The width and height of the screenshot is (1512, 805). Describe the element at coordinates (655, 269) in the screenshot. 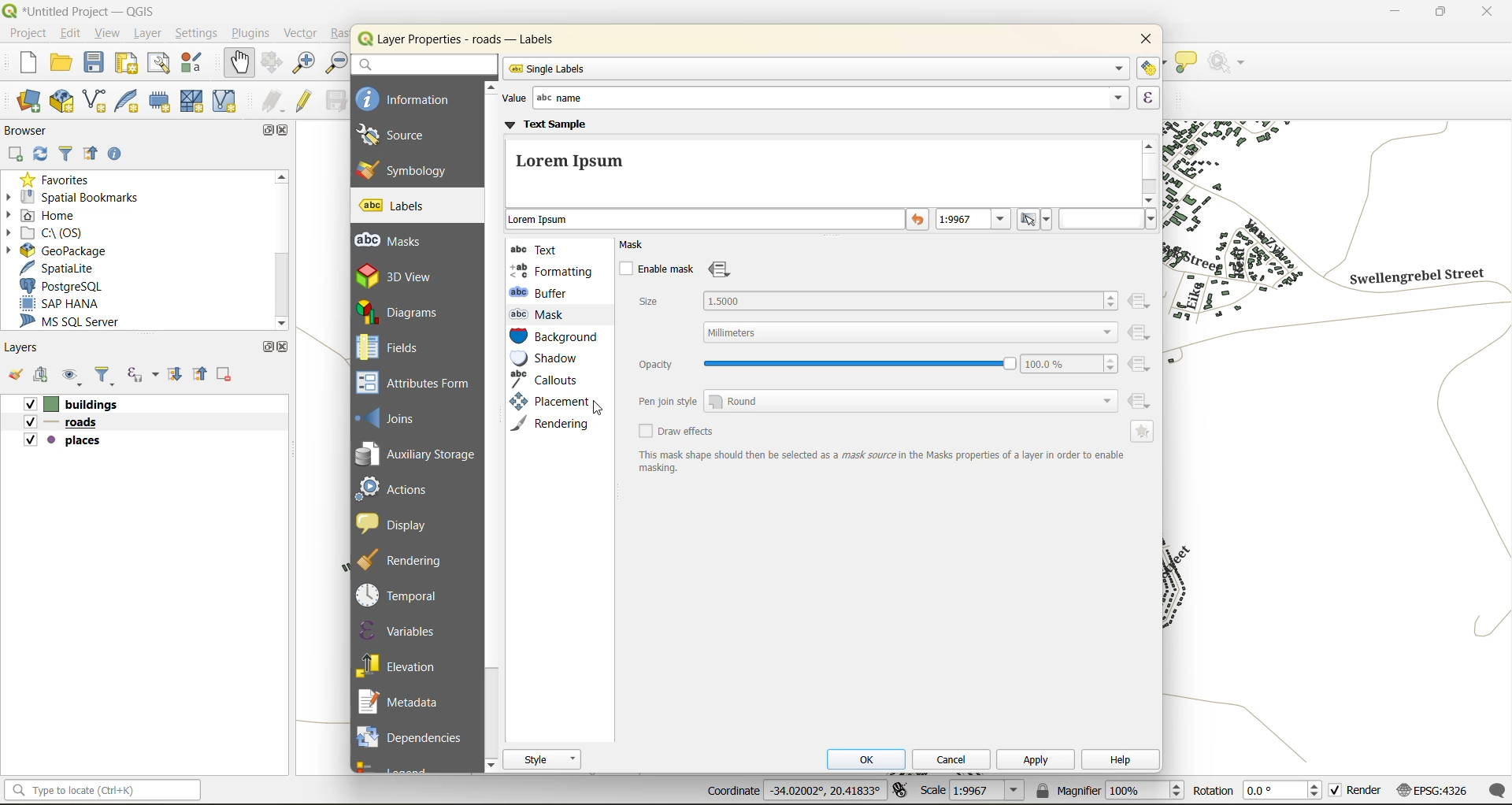

I see `enable mask` at that location.